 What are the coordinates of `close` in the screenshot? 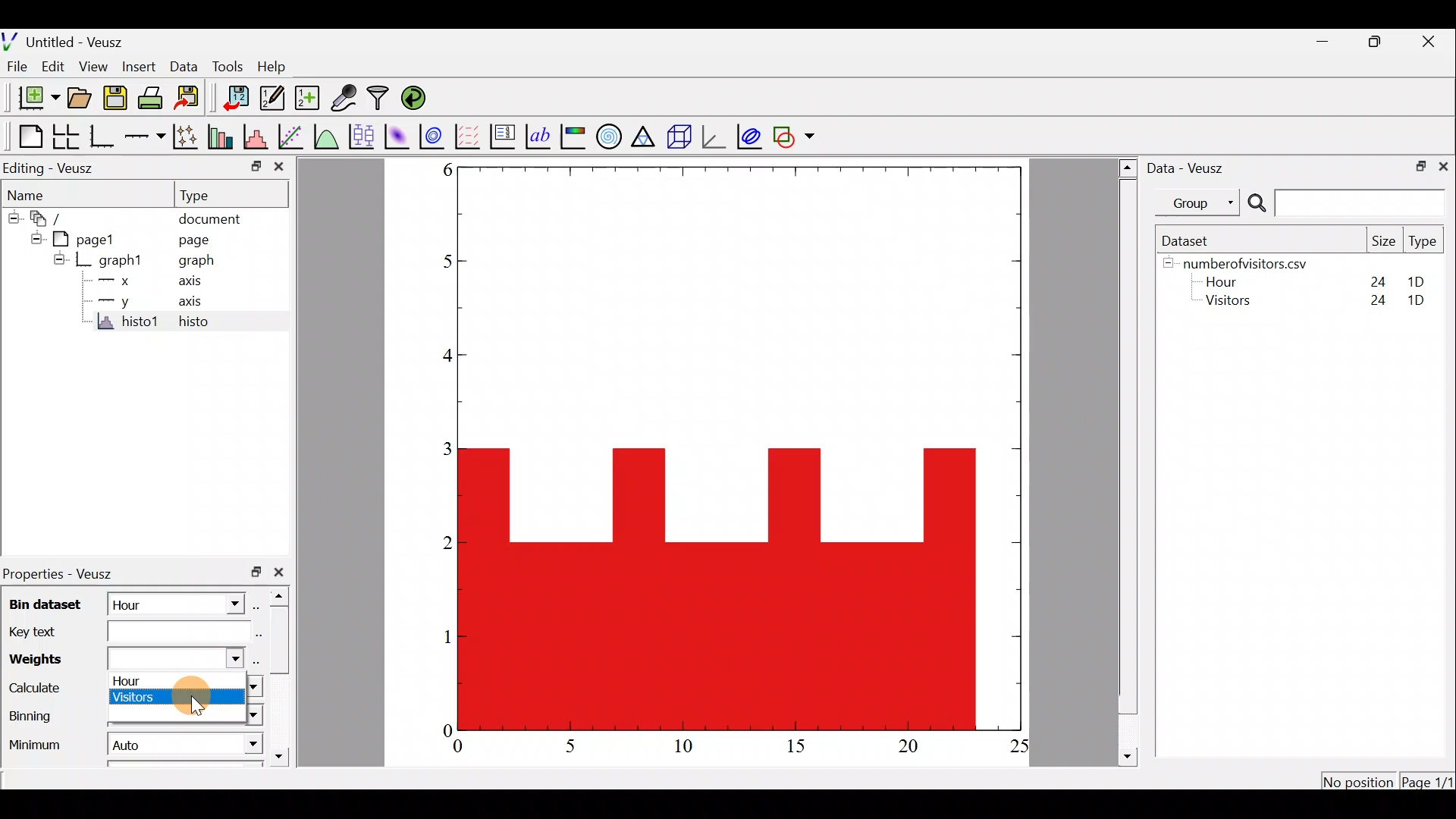 It's located at (1432, 44).